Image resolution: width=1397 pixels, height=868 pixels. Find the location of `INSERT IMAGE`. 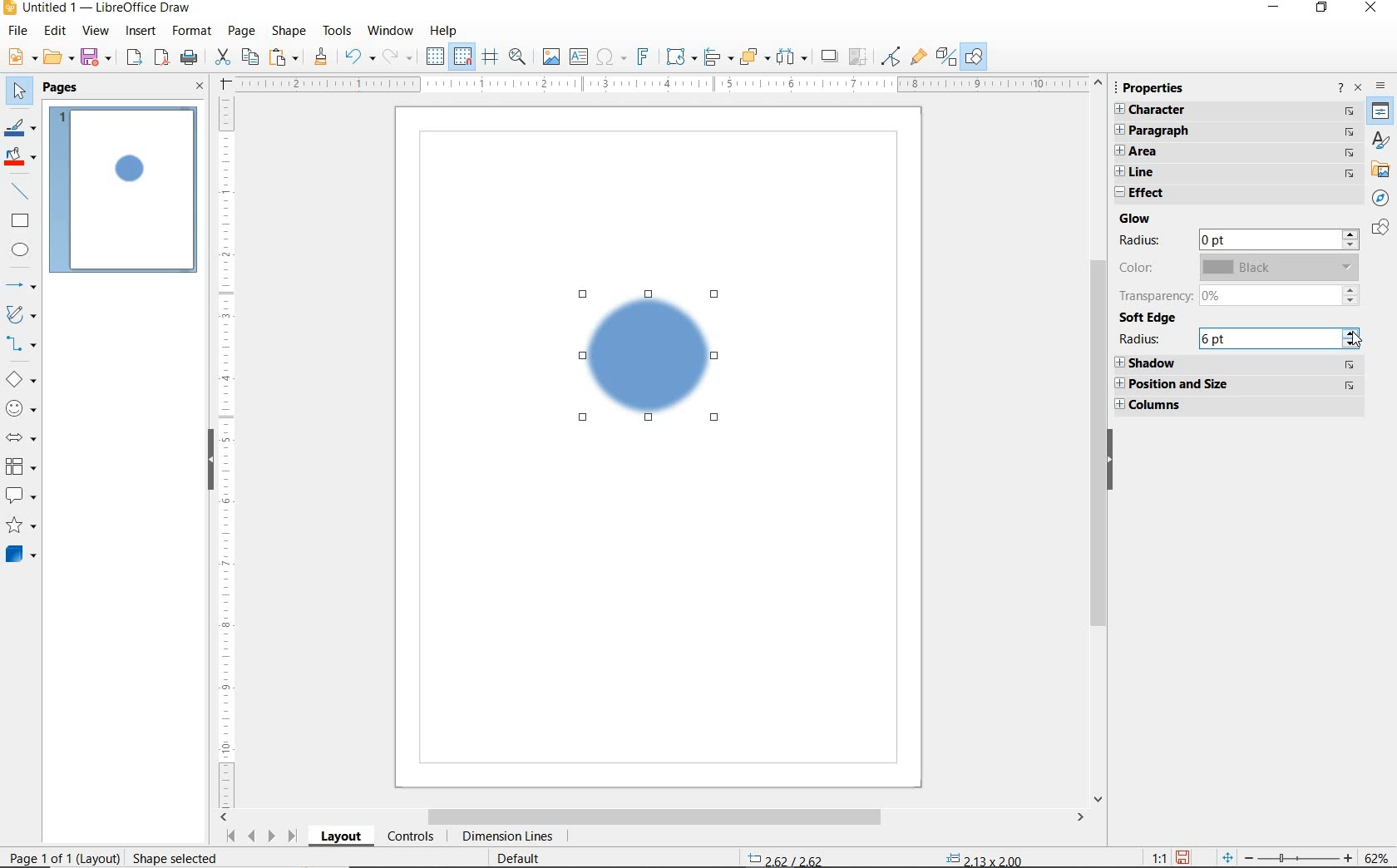

INSERT IMAGE is located at coordinates (549, 57).